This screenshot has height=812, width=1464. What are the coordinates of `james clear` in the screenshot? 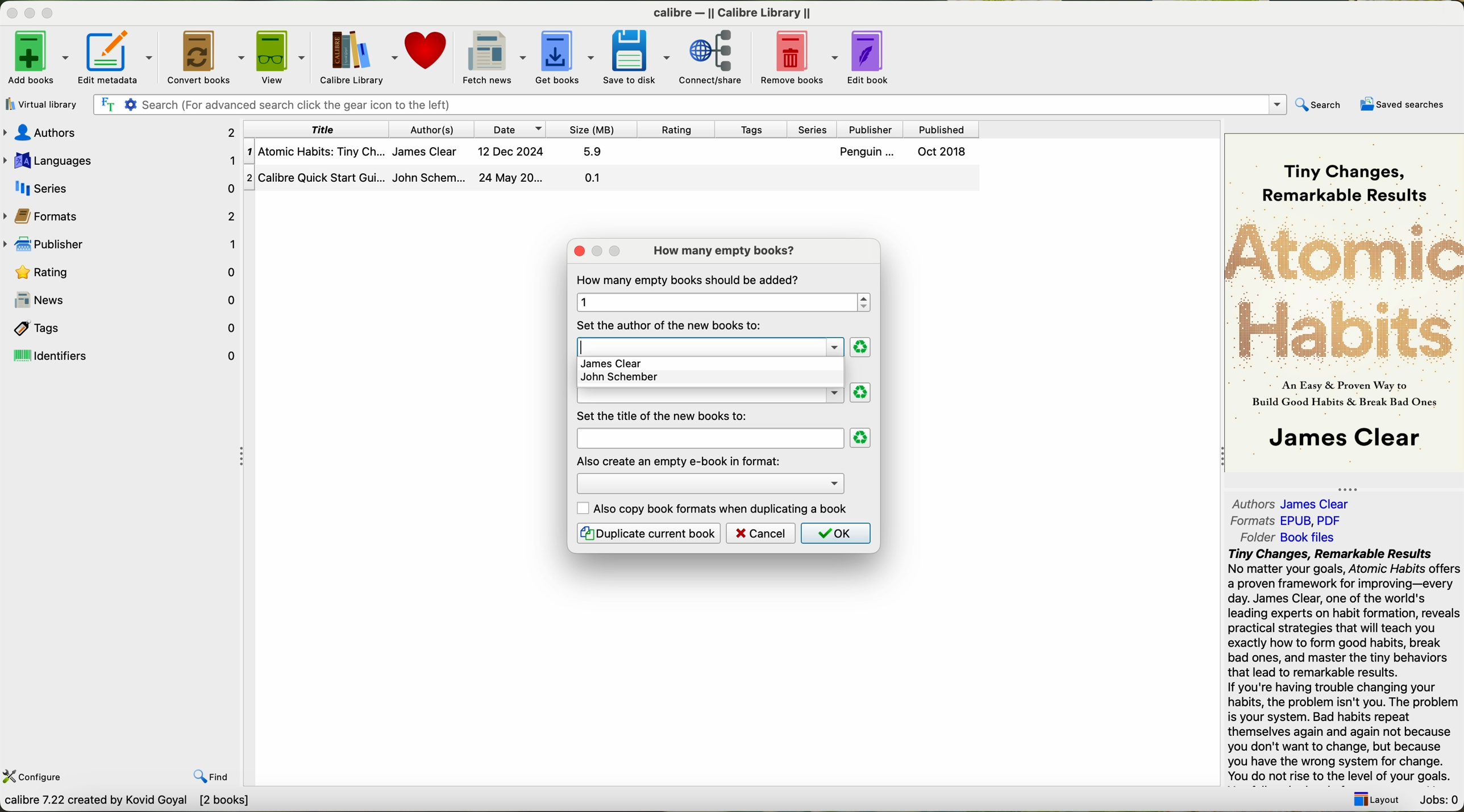 It's located at (710, 364).